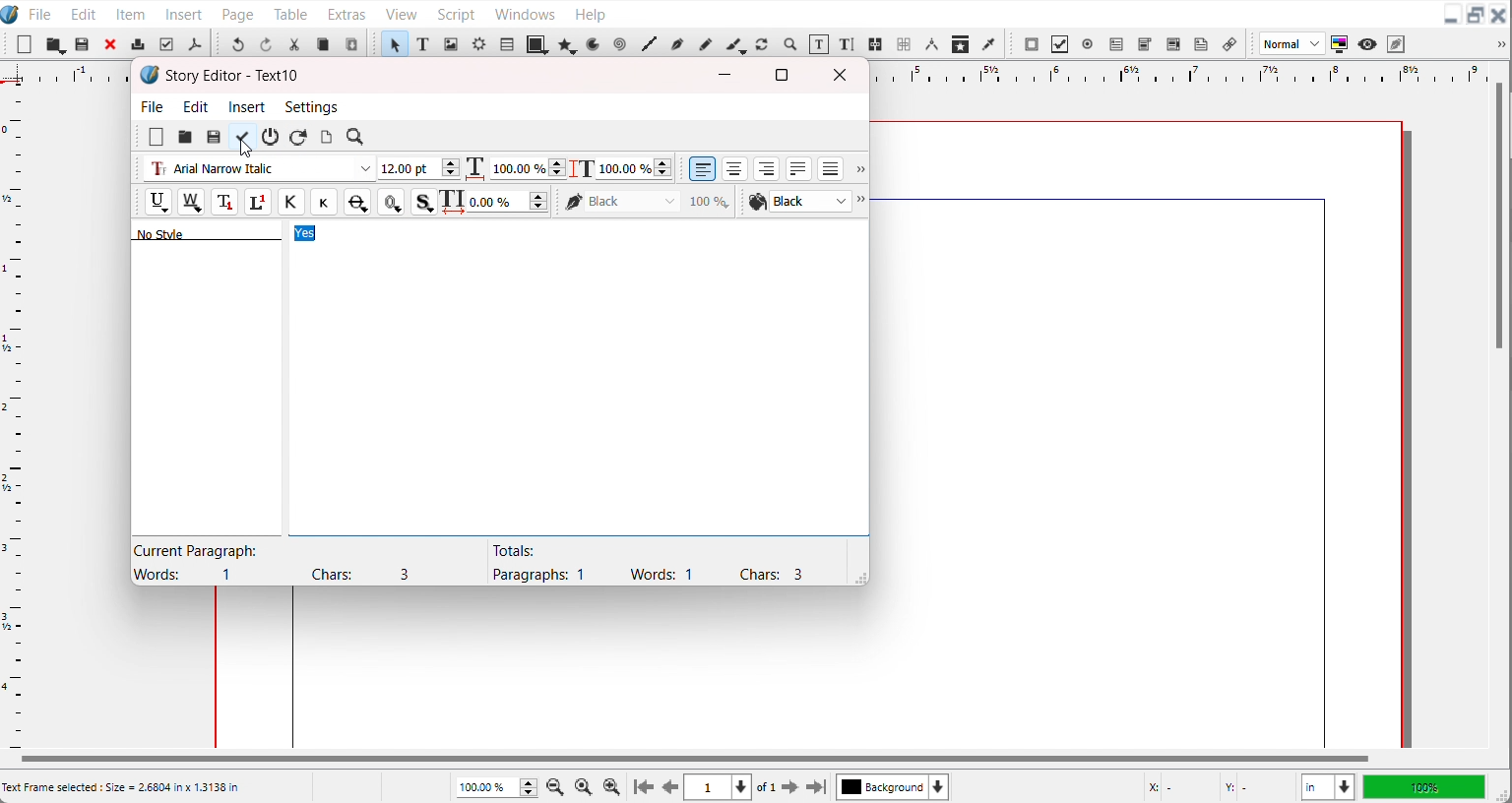  I want to click on Shadowed Text, so click(424, 202).